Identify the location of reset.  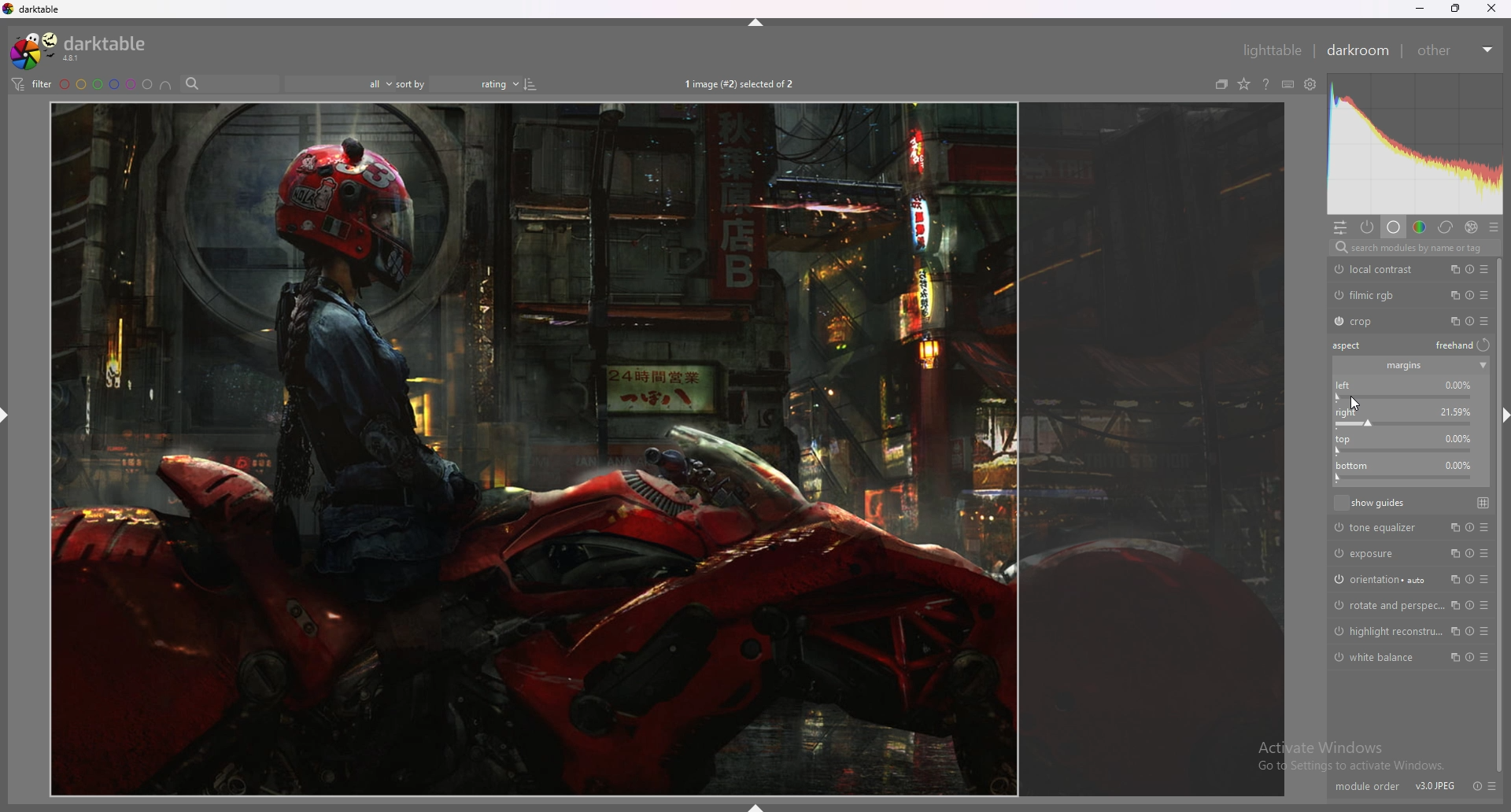
(1472, 295).